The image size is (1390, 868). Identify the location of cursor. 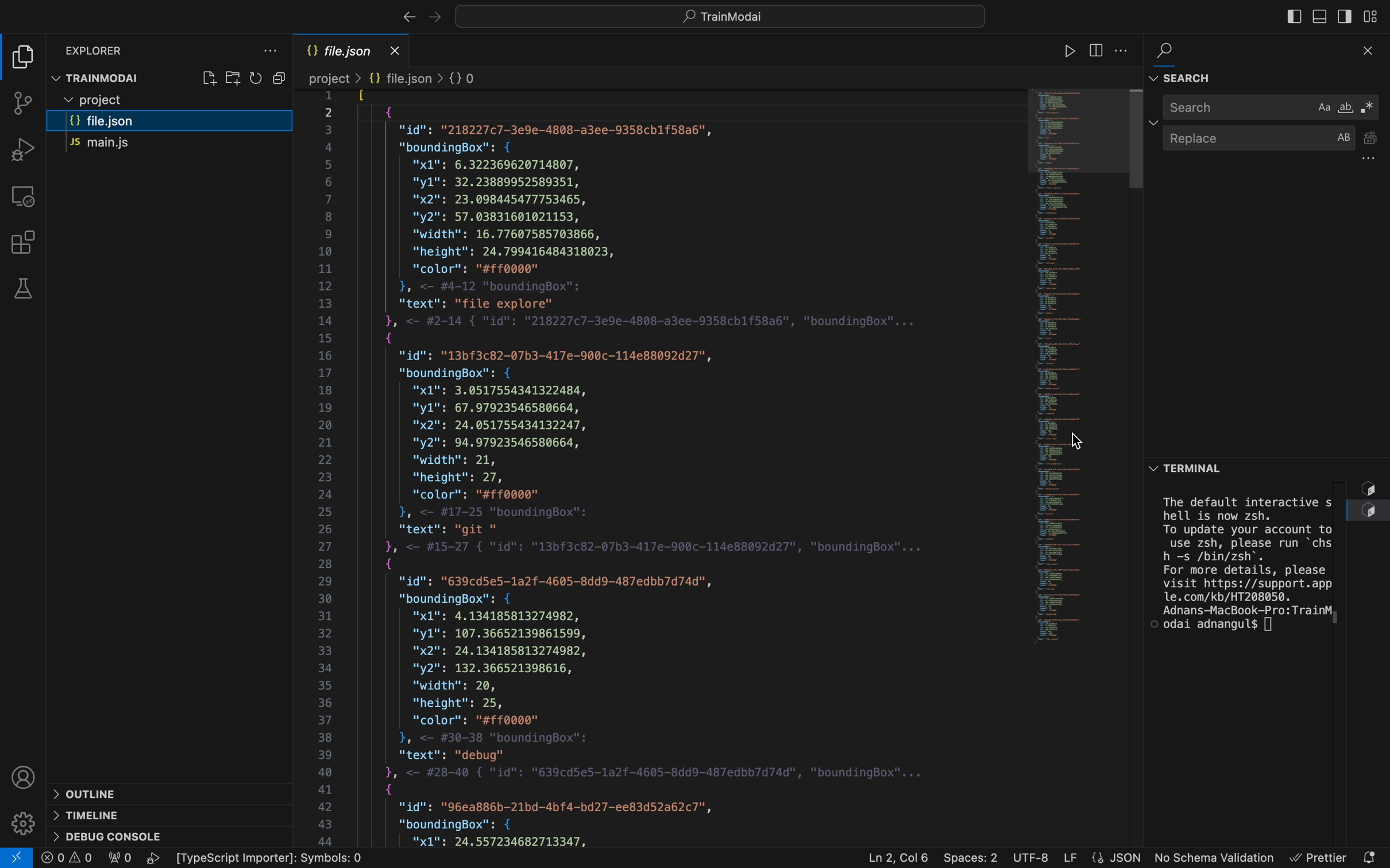
(1092, 439).